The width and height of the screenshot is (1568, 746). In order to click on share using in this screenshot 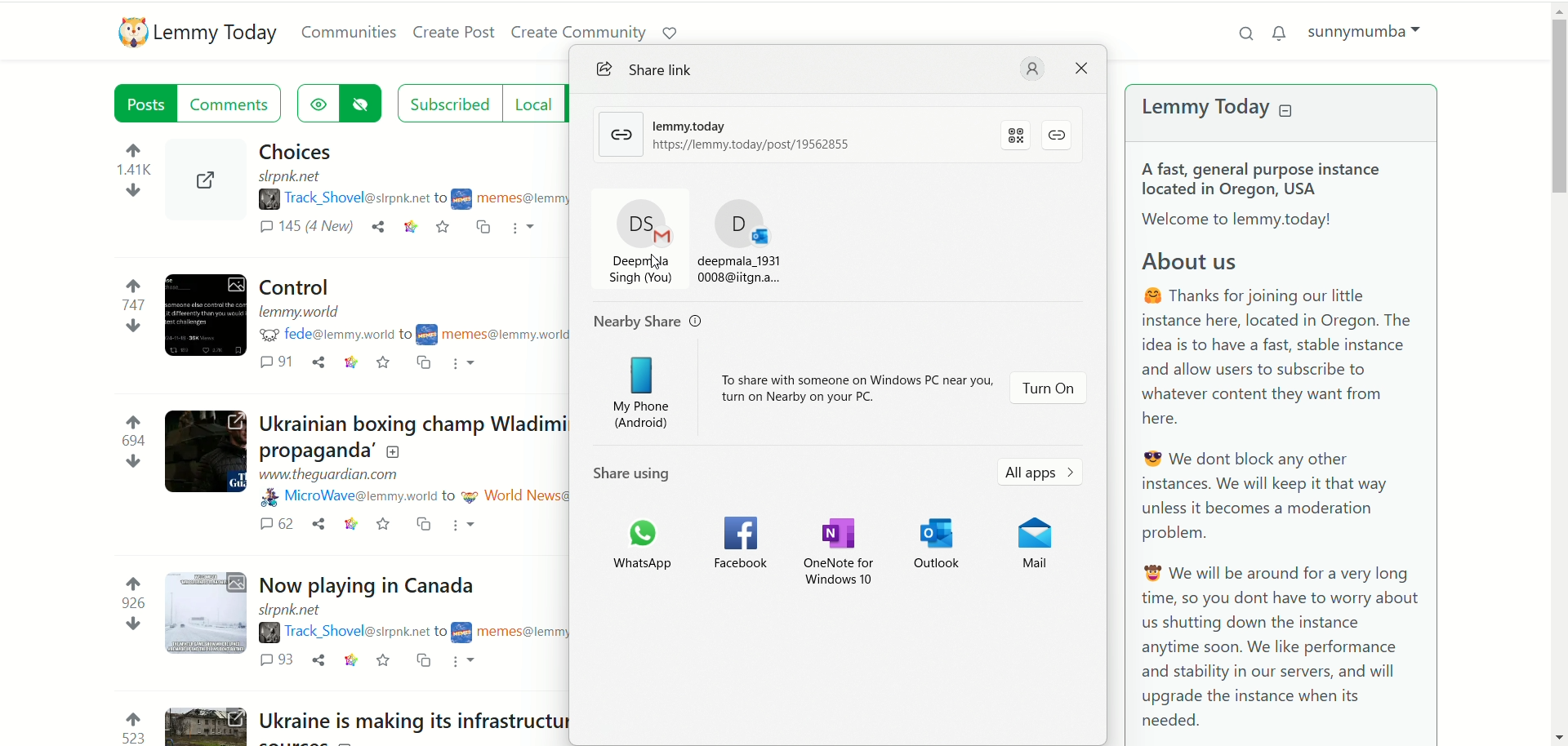, I will do `click(633, 471)`.